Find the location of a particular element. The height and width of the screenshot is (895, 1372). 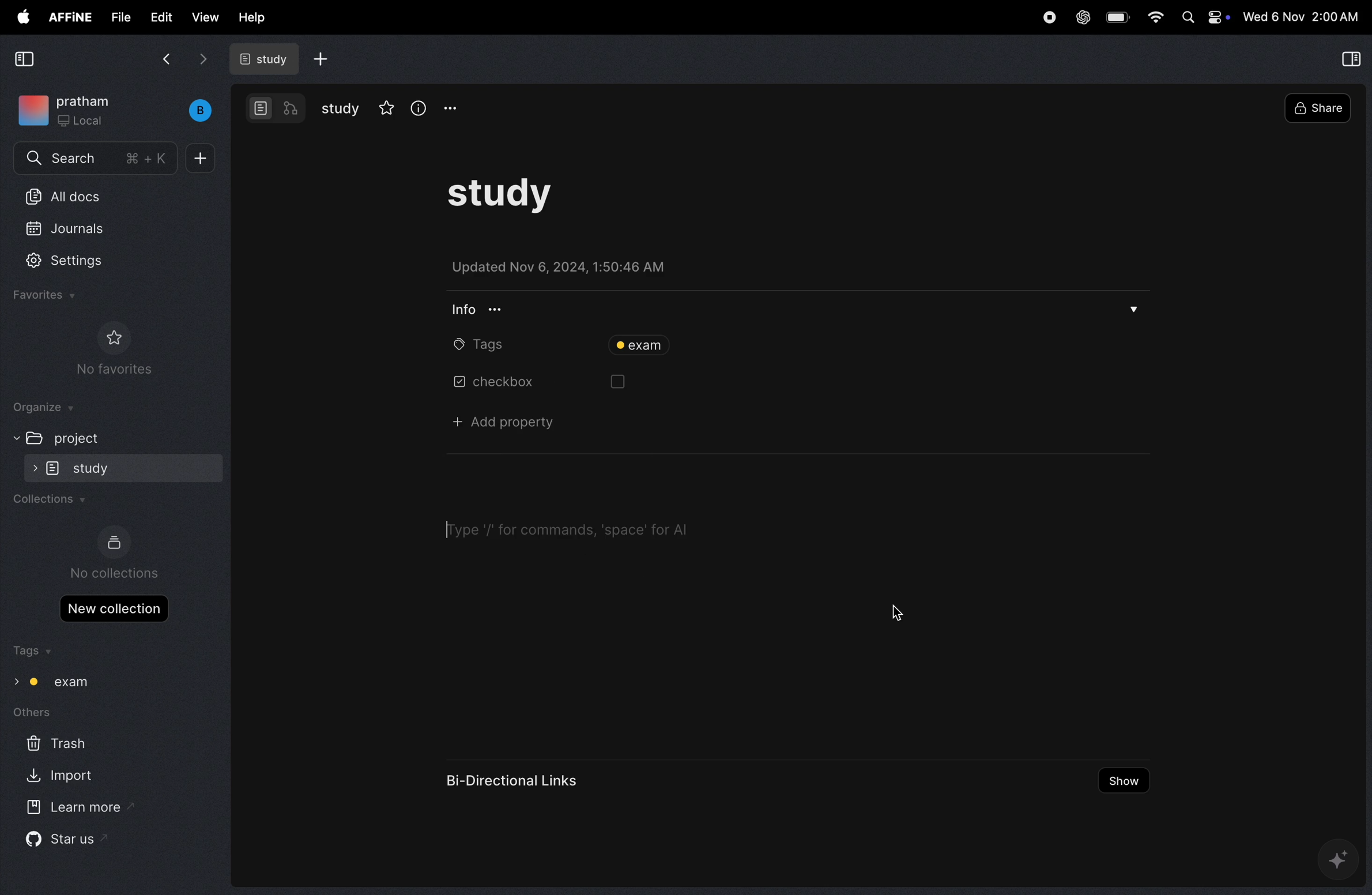

journals is located at coordinates (89, 228).